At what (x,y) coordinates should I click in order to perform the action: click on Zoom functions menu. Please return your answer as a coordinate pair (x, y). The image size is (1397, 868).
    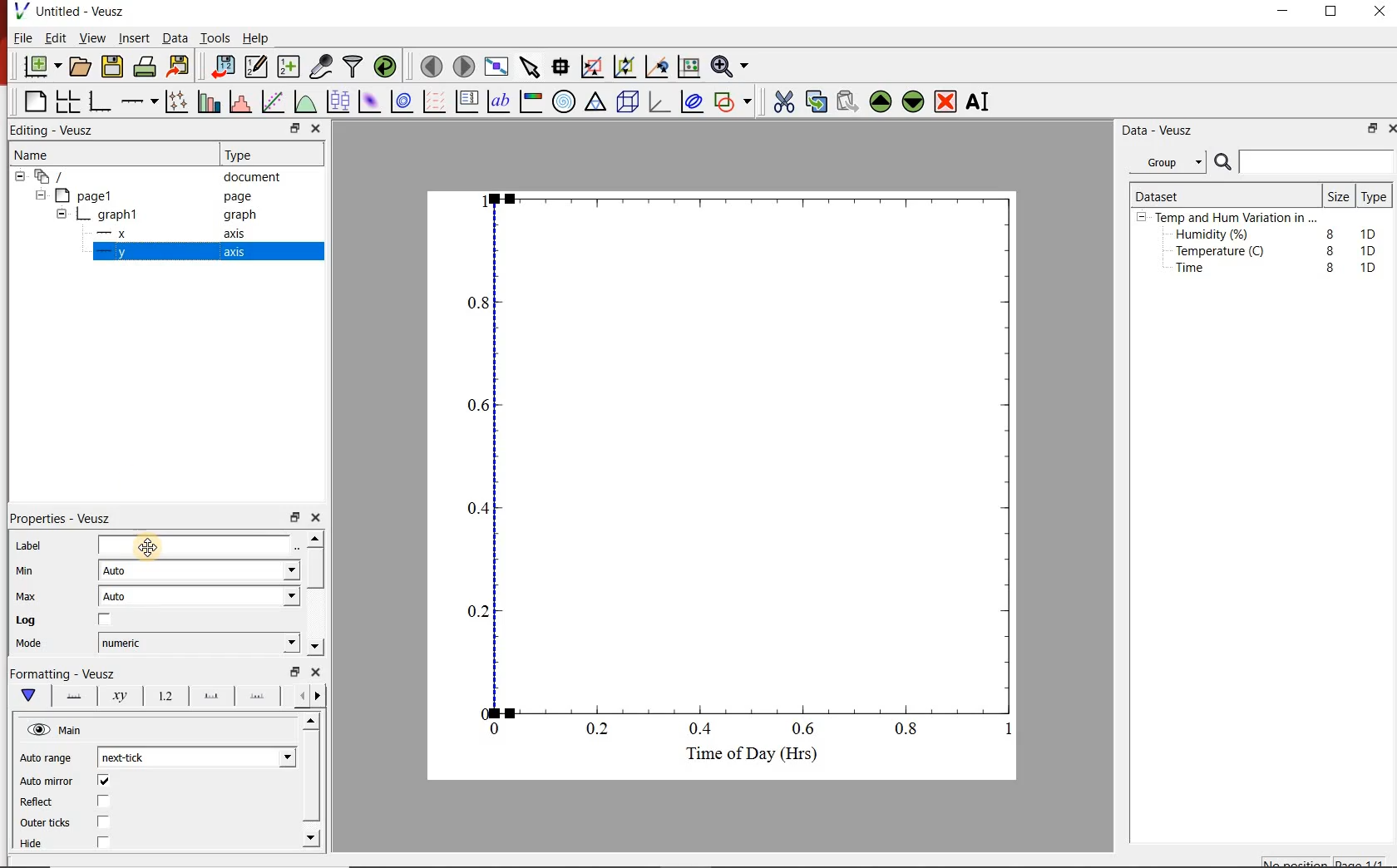
    Looking at the image, I should click on (729, 66).